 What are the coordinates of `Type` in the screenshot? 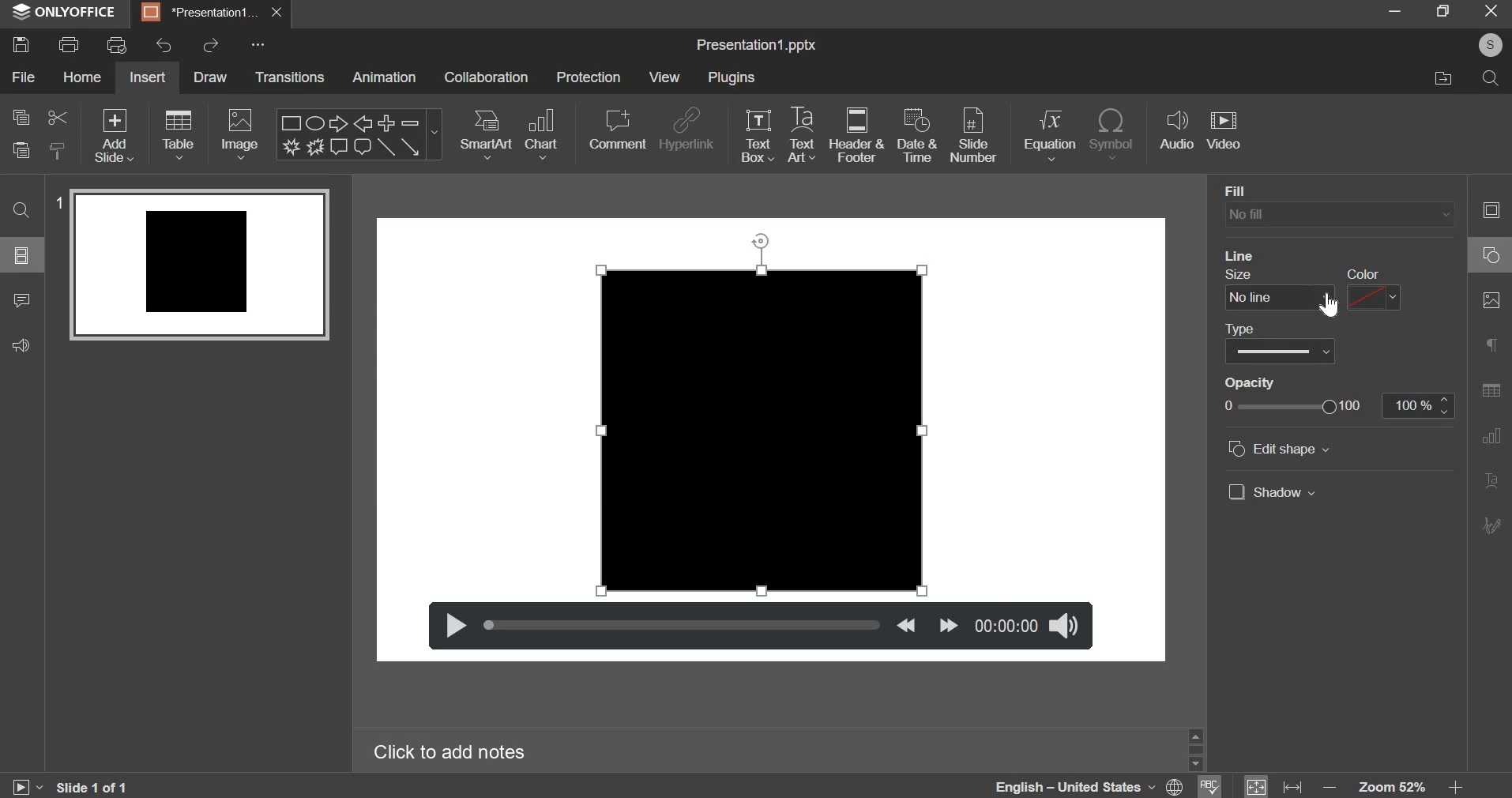 It's located at (1244, 326).